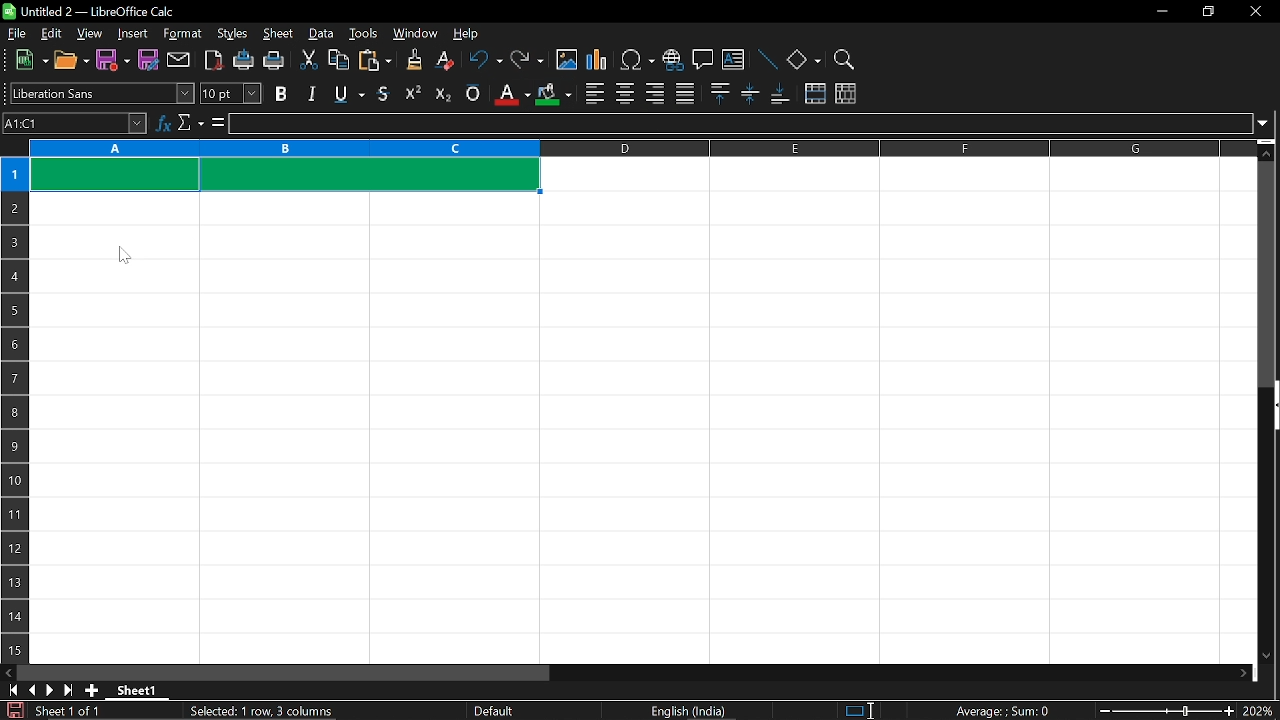 The height and width of the screenshot is (720, 1280). I want to click on insert symbol, so click(638, 59).